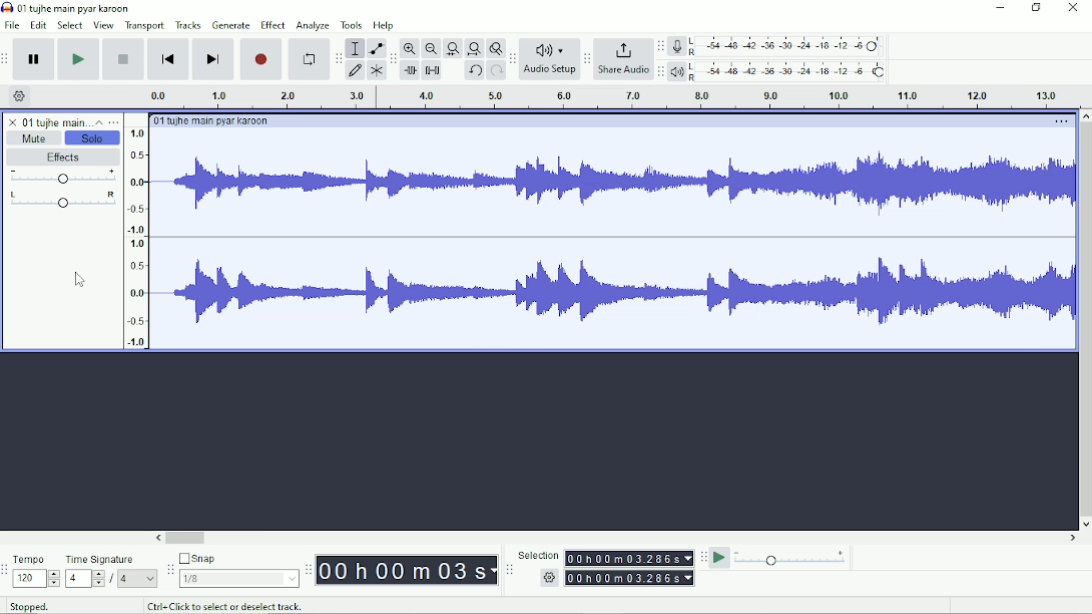  What do you see at coordinates (123, 59) in the screenshot?
I see `Stop` at bounding box center [123, 59].